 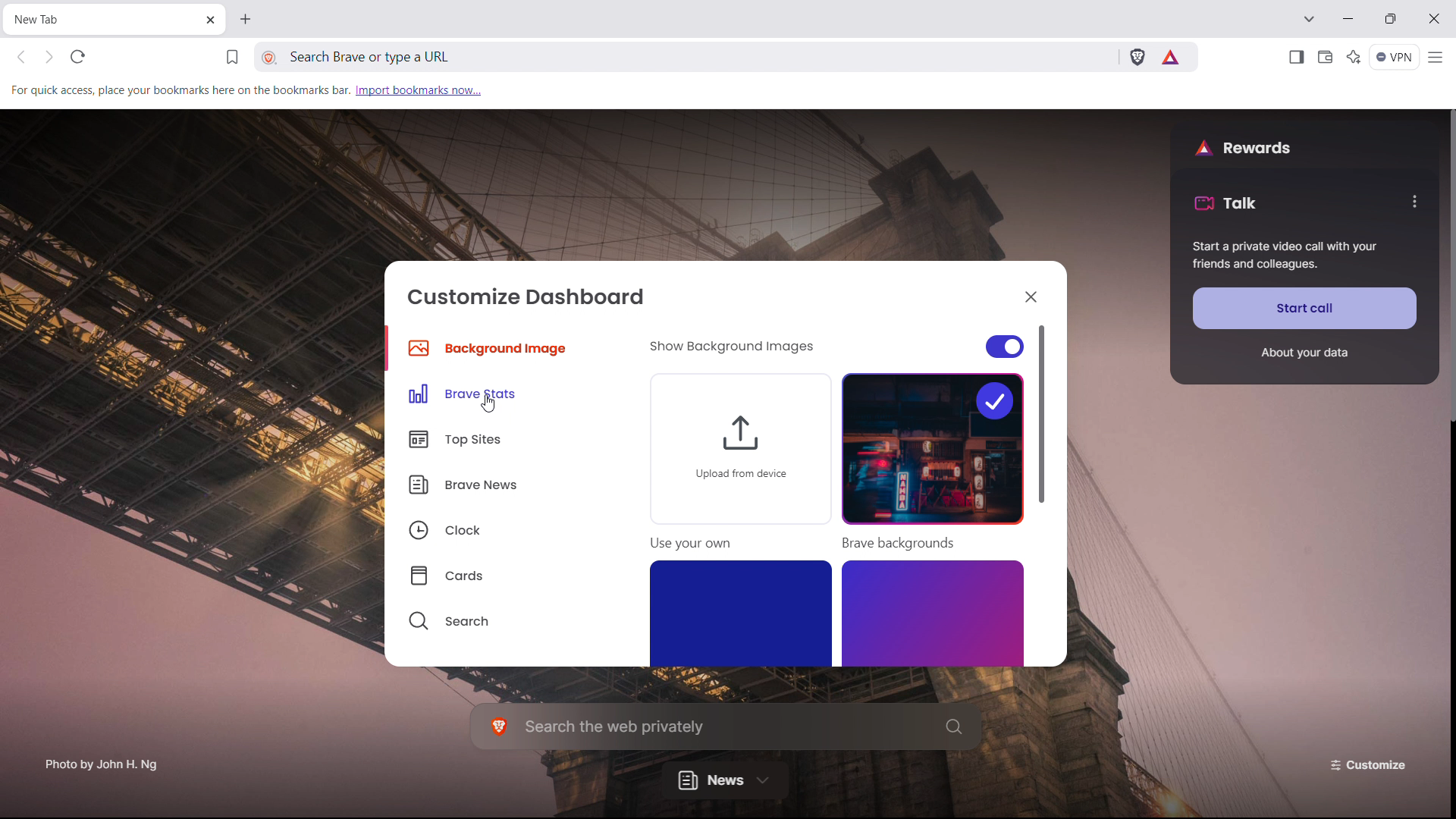 What do you see at coordinates (1413, 201) in the screenshot?
I see `options` at bounding box center [1413, 201].